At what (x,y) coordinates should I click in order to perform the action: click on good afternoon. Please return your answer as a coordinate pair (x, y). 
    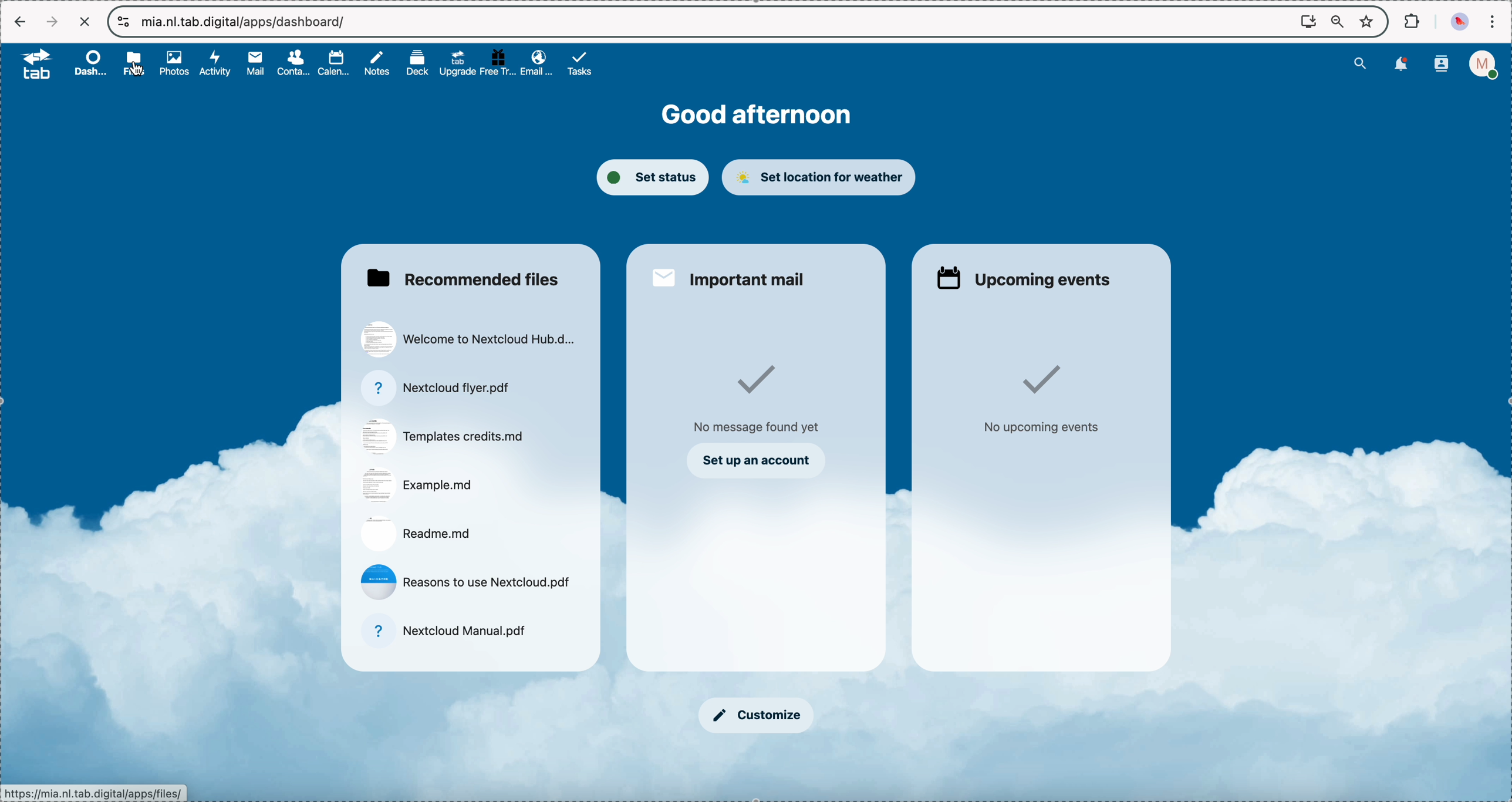
    Looking at the image, I should click on (760, 114).